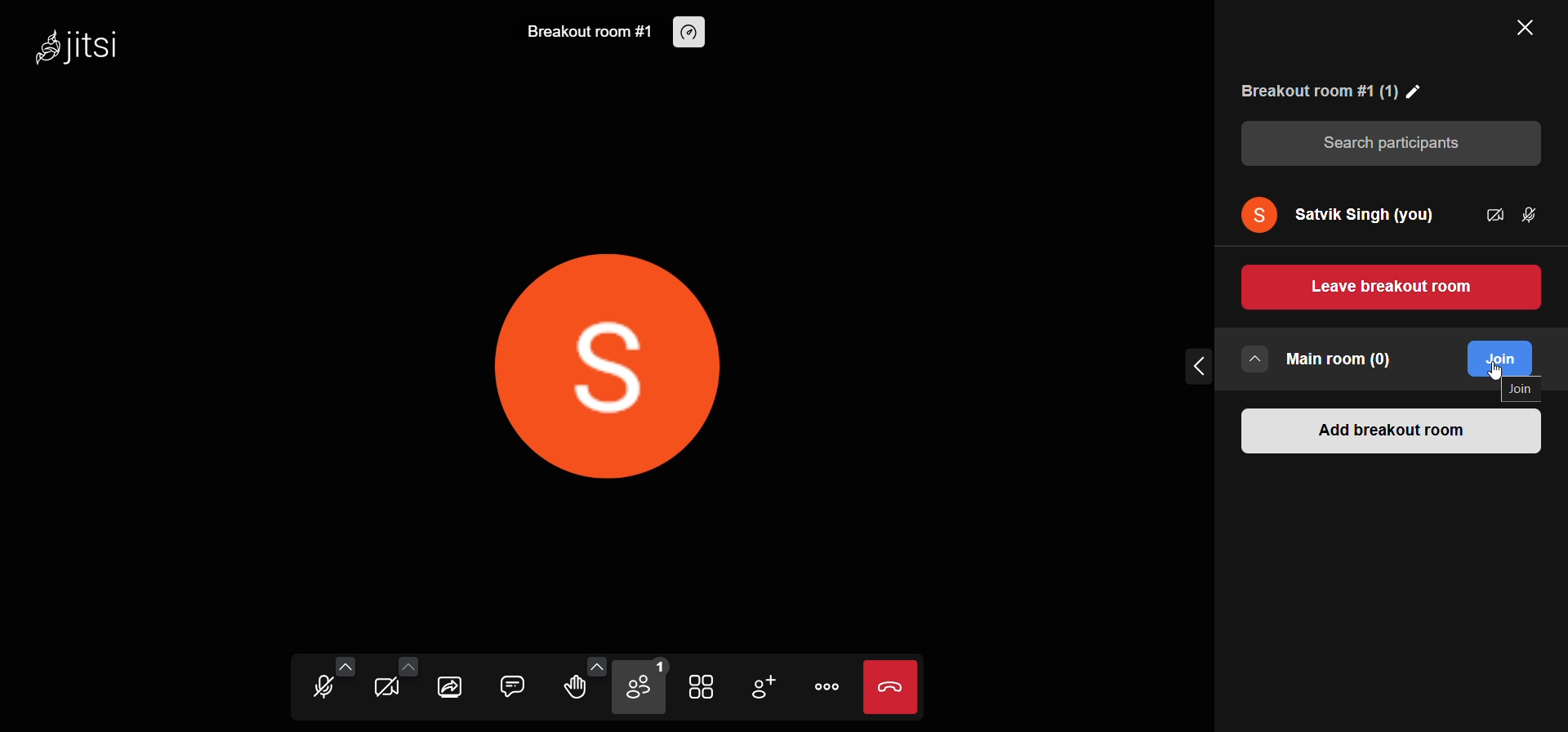  I want to click on more emoji, so click(597, 663).